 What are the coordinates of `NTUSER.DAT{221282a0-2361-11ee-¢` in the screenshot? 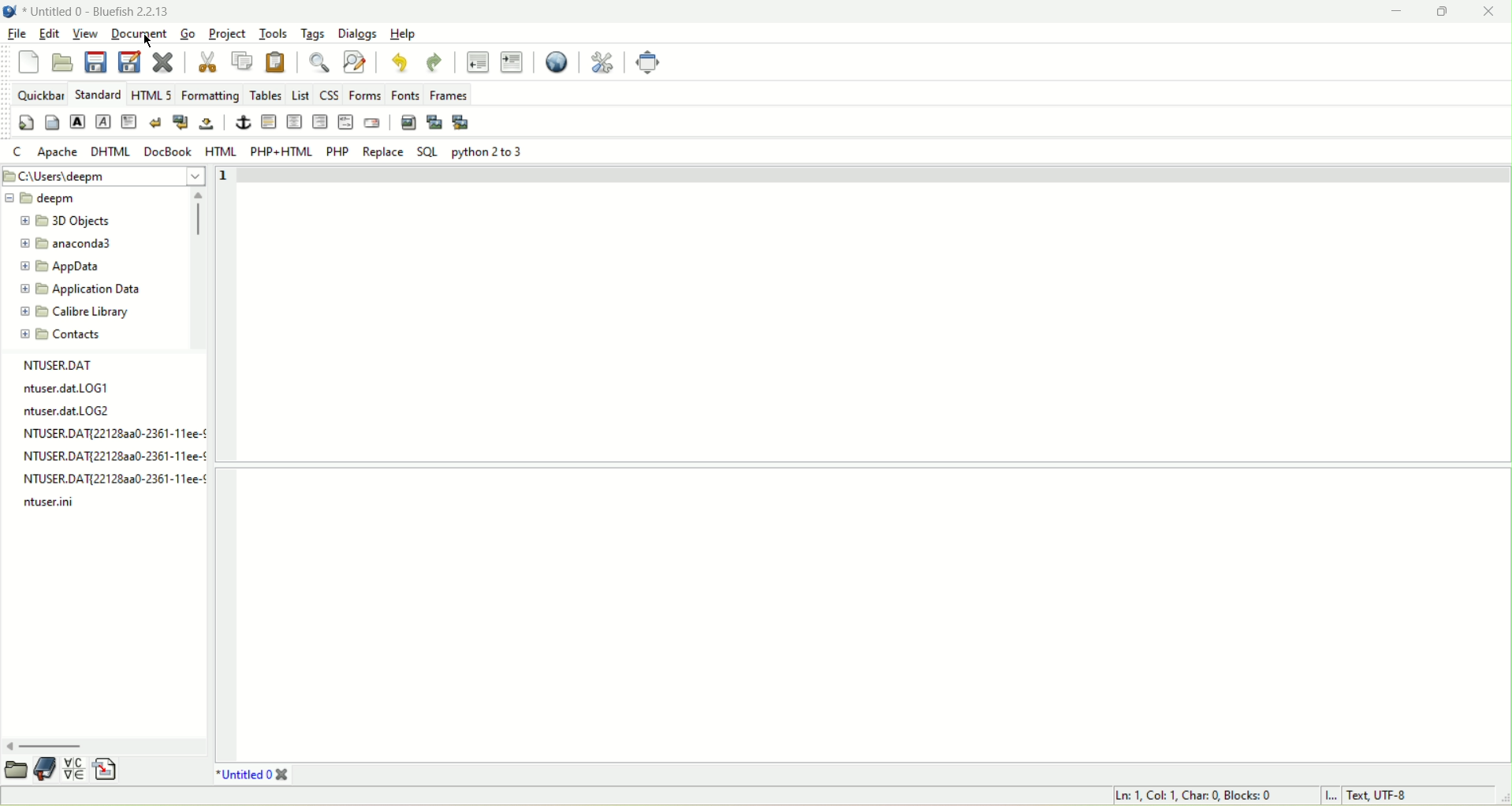 It's located at (110, 478).